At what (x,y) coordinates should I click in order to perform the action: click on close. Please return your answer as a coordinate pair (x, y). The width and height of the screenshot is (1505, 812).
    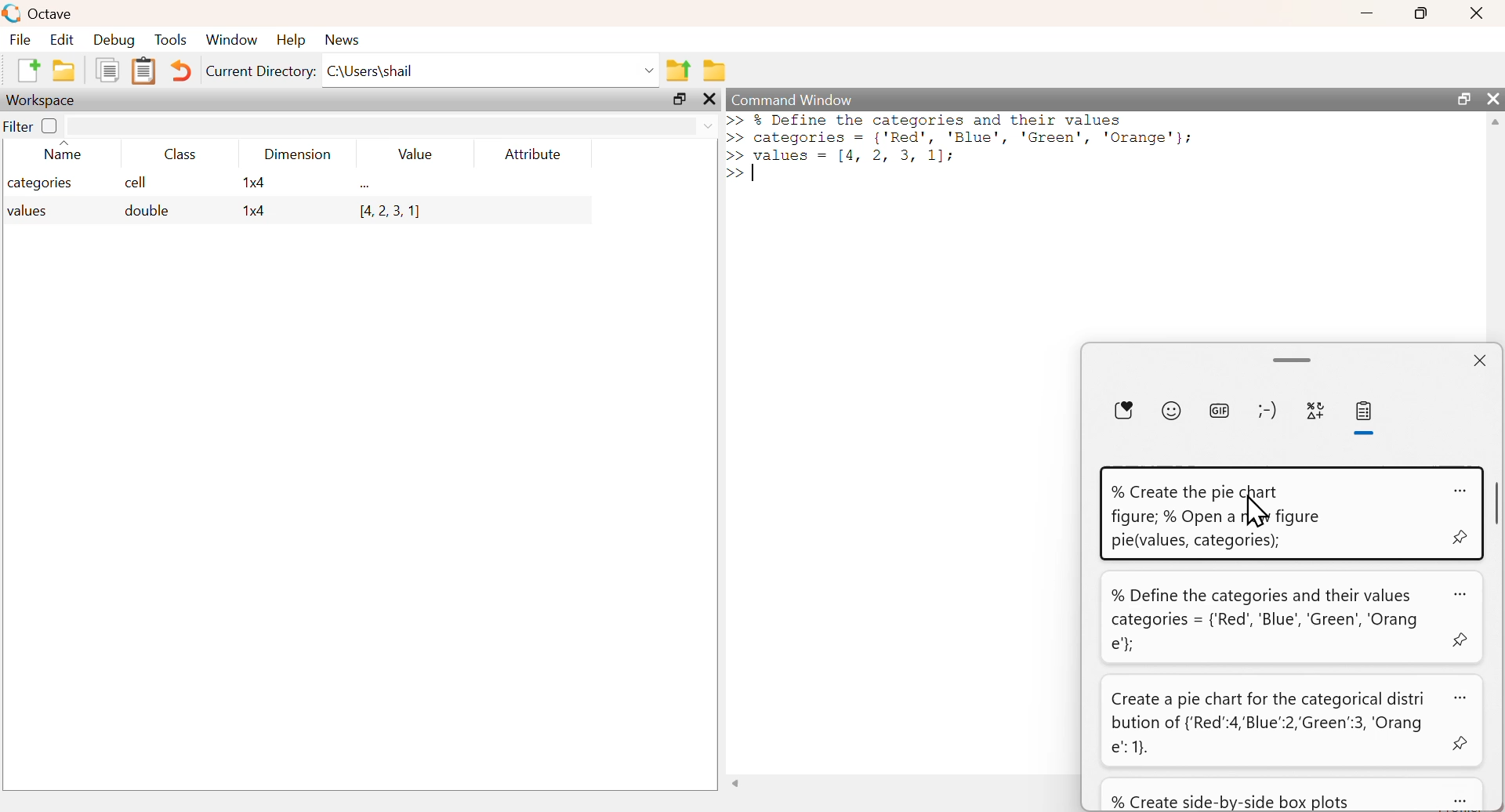
    Looking at the image, I should click on (710, 99).